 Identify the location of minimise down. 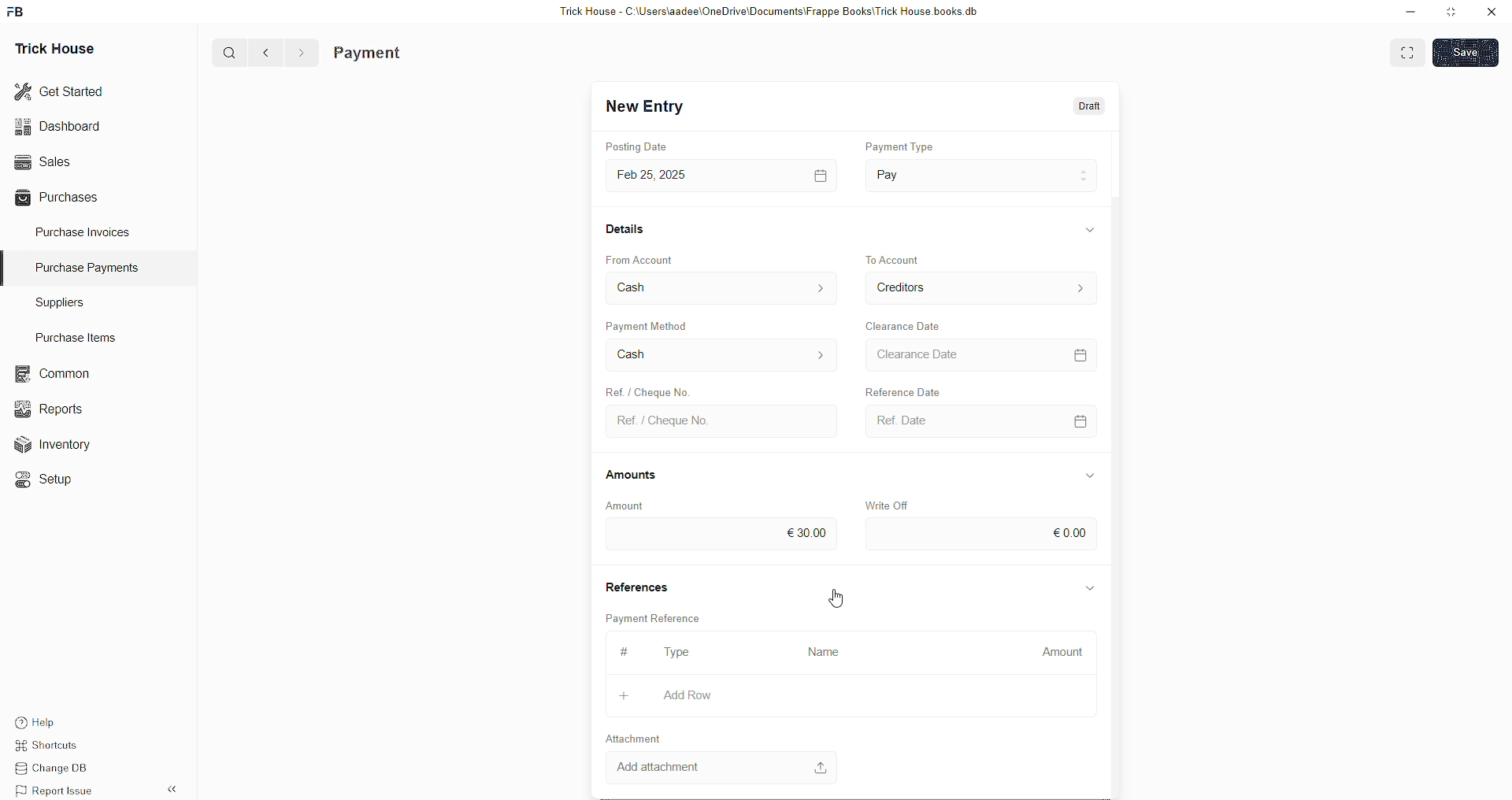
(1408, 12).